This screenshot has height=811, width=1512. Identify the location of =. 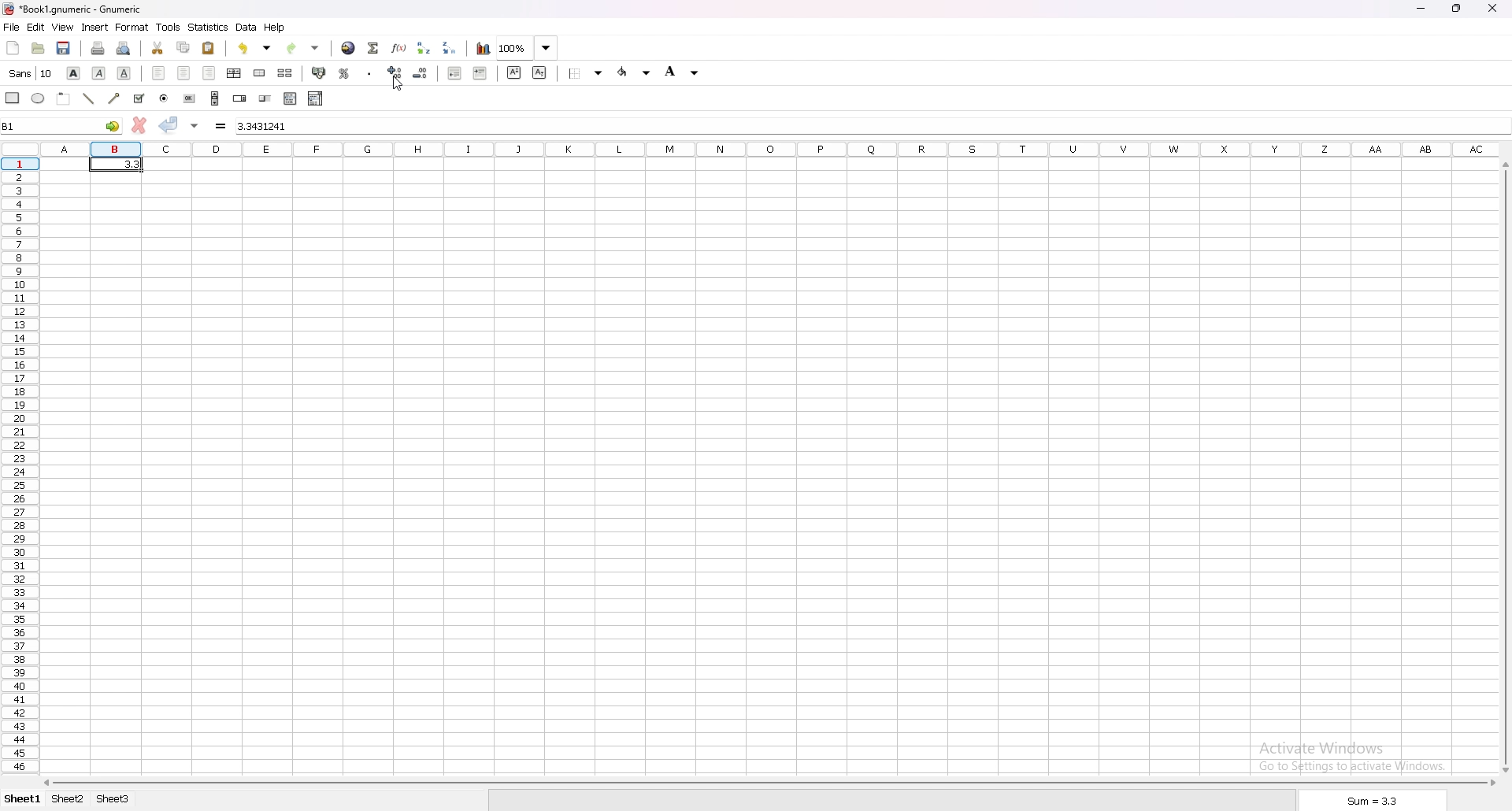
(220, 124).